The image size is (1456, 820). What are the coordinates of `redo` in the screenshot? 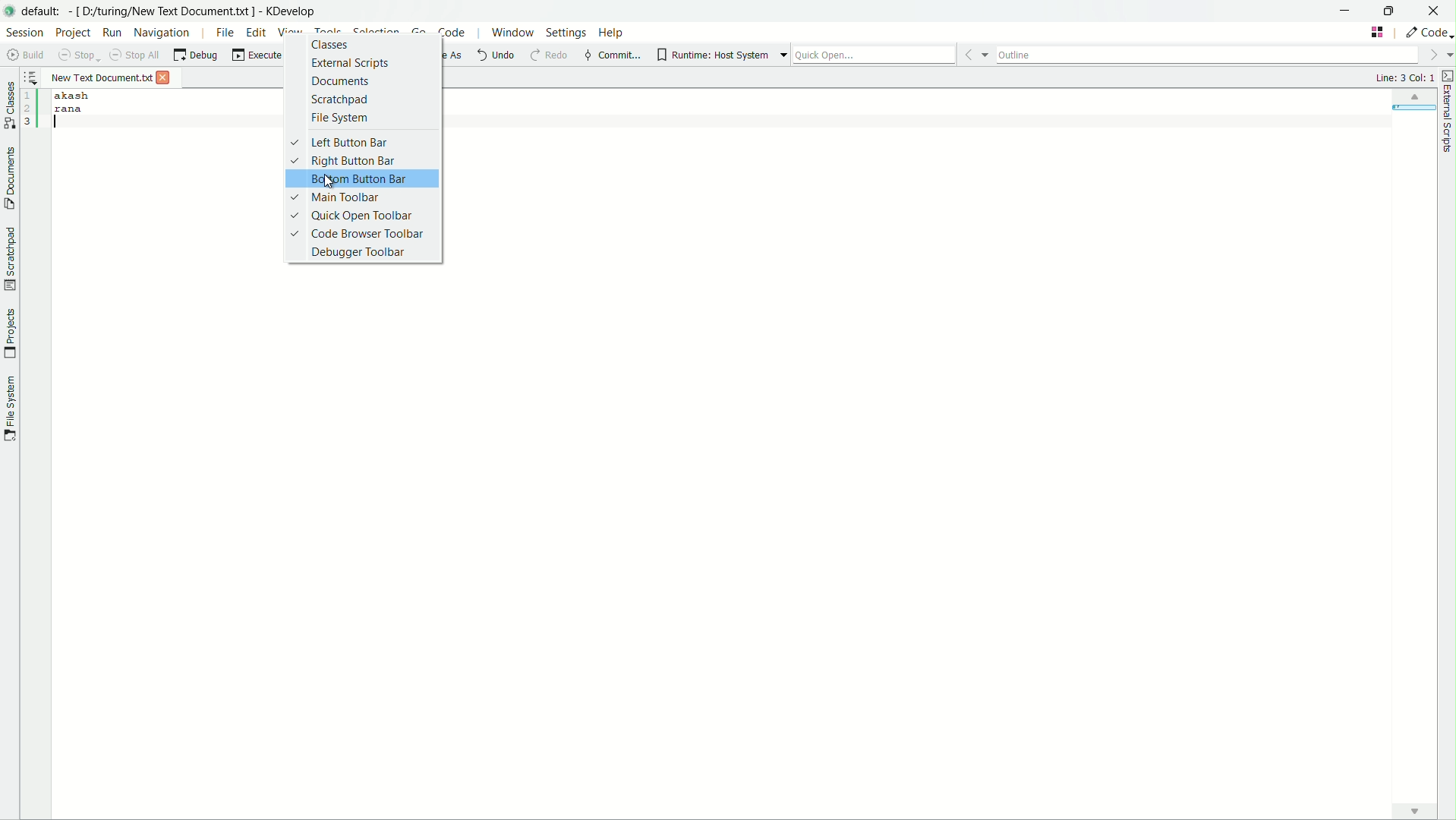 It's located at (553, 56).